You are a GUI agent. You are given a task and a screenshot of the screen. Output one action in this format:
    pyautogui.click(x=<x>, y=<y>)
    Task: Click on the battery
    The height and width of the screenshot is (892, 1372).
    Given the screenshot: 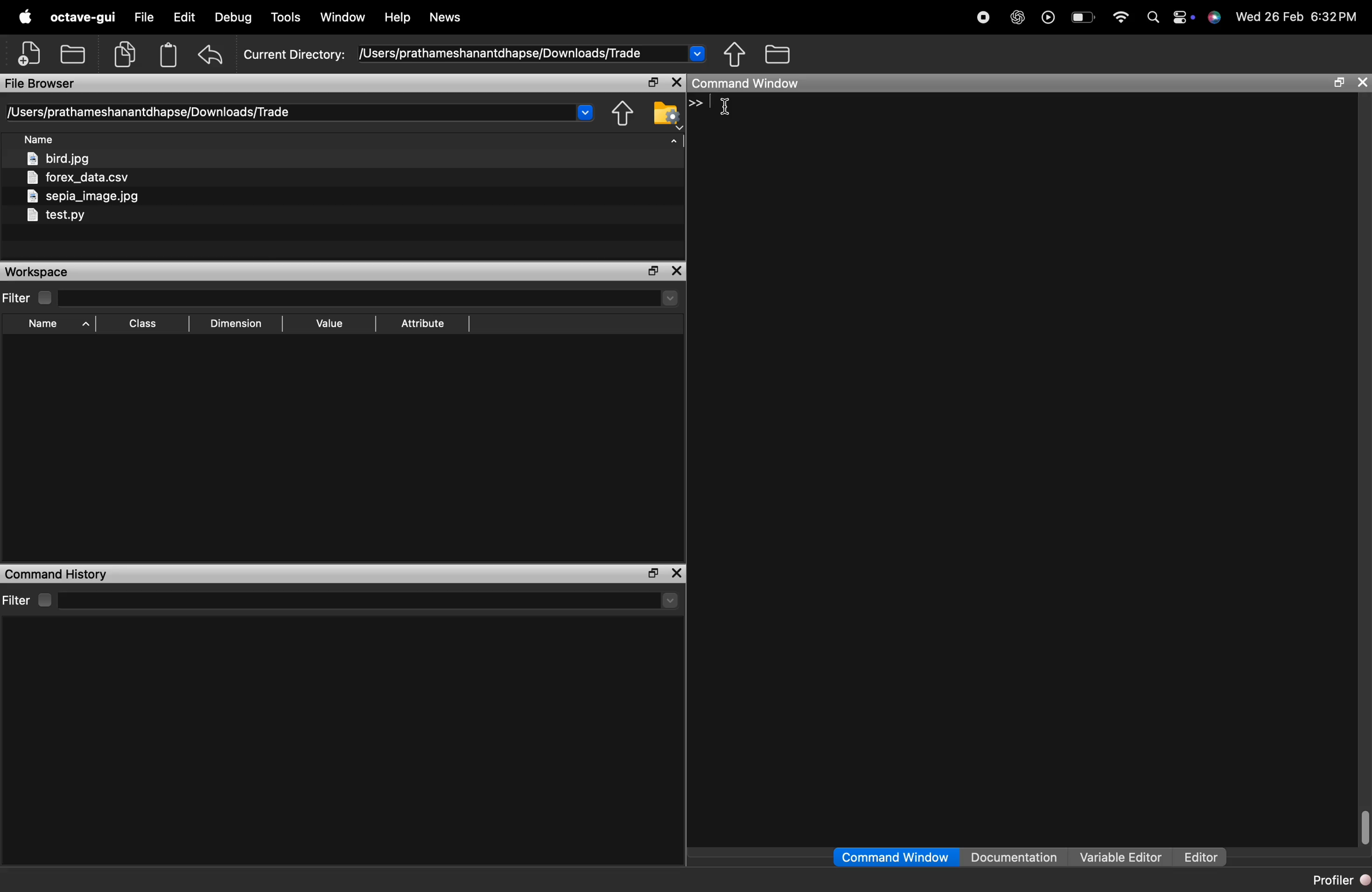 What is the action you would take?
    pyautogui.click(x=1084, y=19)
    